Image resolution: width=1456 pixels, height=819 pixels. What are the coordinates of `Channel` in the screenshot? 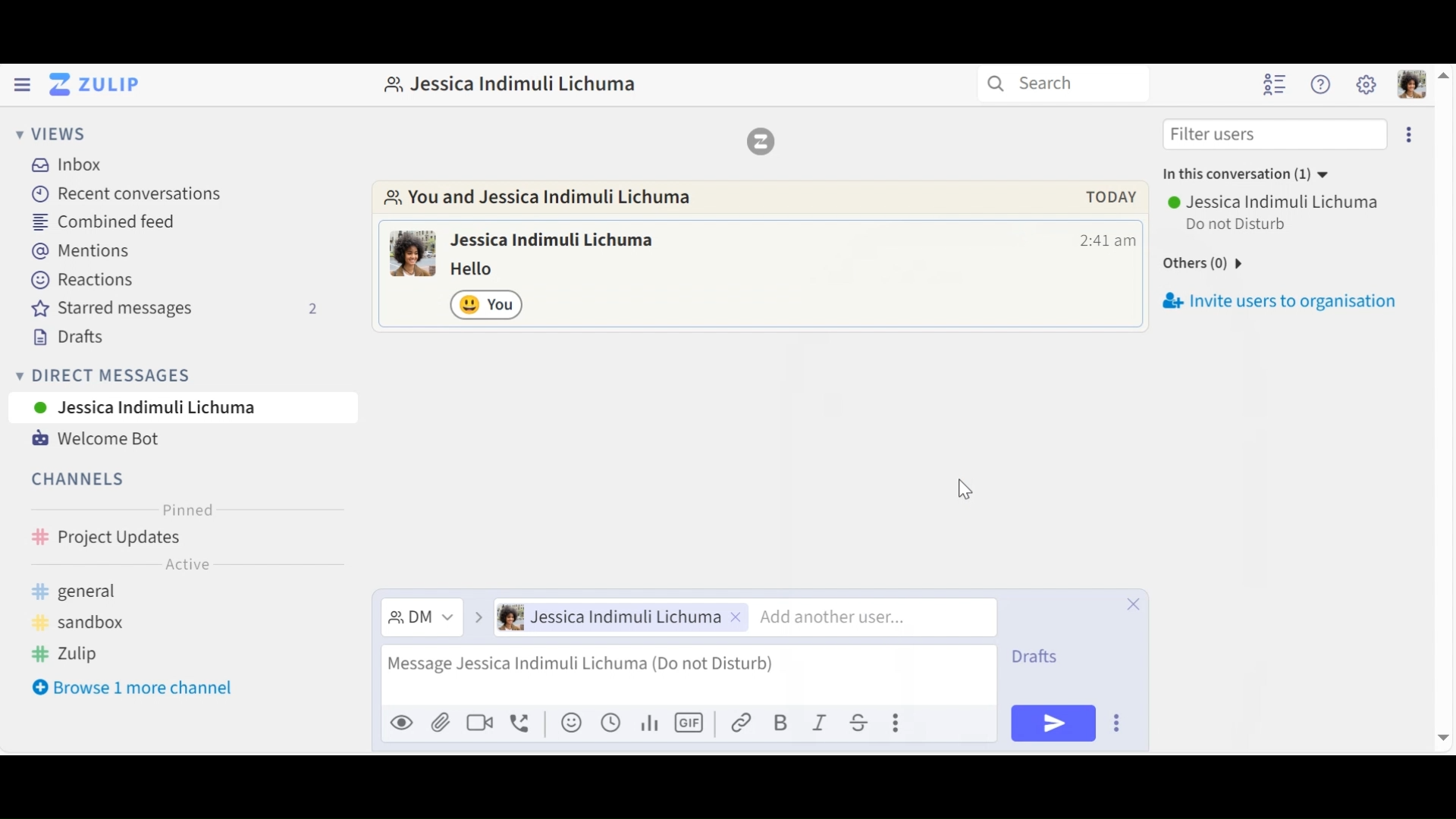 It's located at (184, 539).